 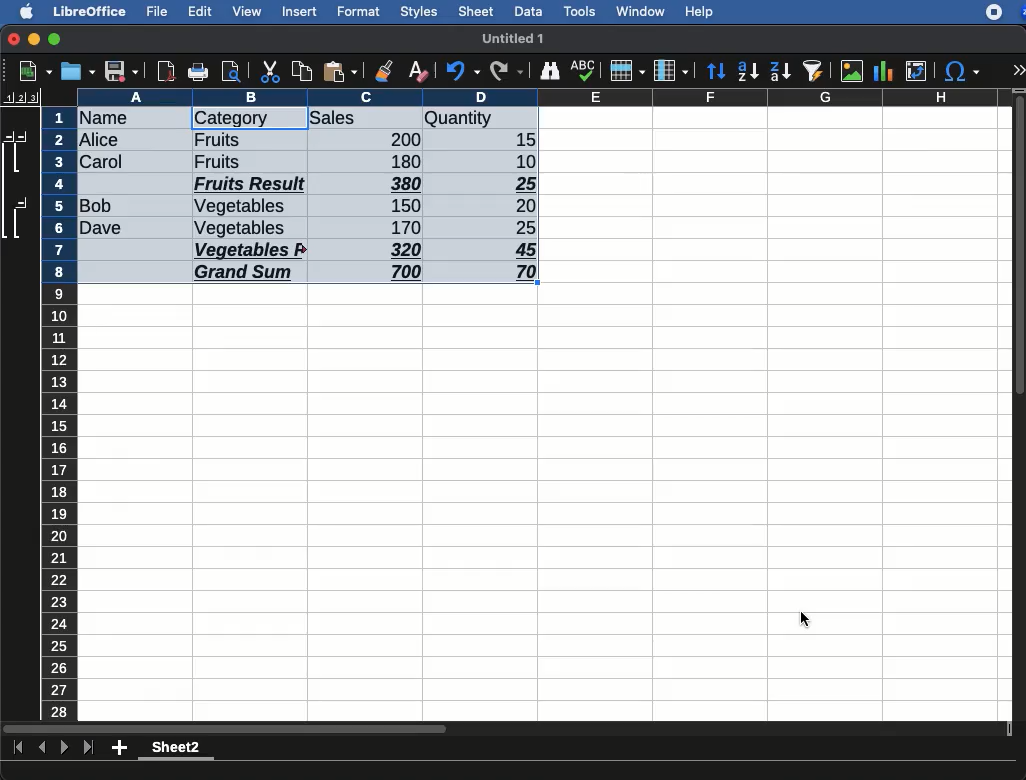 I want to click on edit, so click(x=200, y=11).